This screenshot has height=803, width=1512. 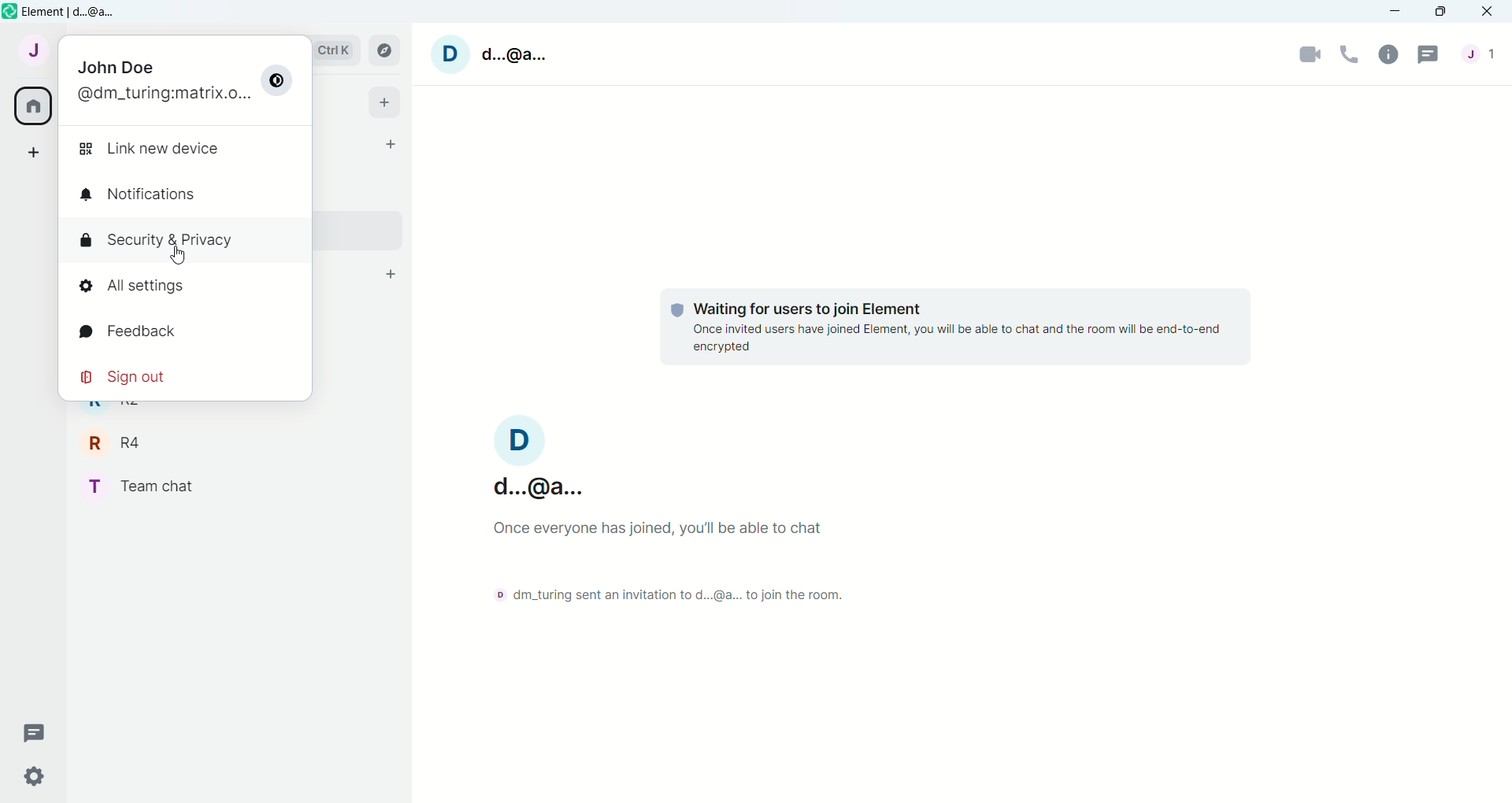 What do you see at coordinates (131, 285) in the screenshot?
I see `All settings` at bounding box center [131, 285].